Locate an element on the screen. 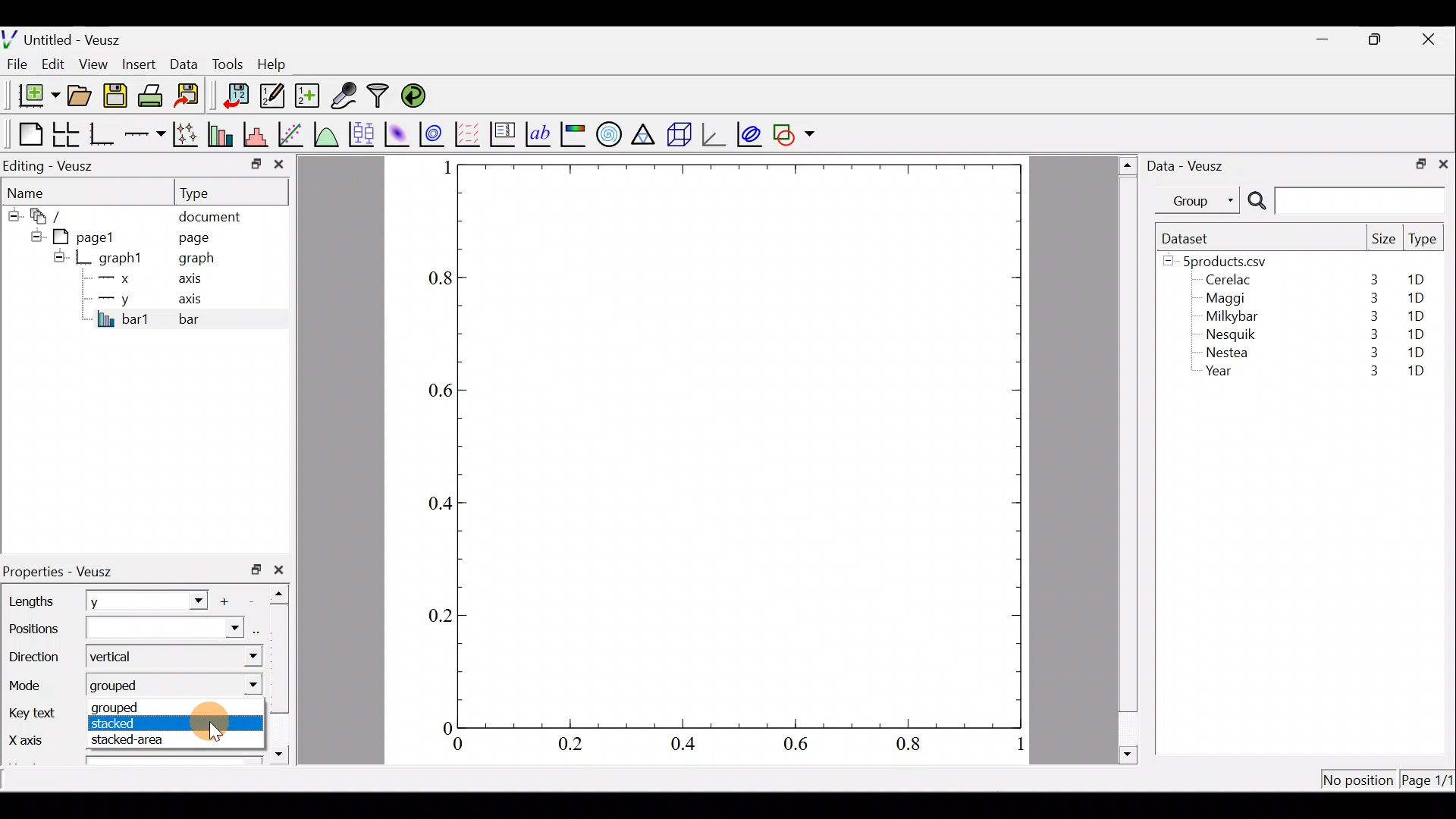 This screenshot has height=819, width=1456. restore down is located at coordinates (1377, 39).